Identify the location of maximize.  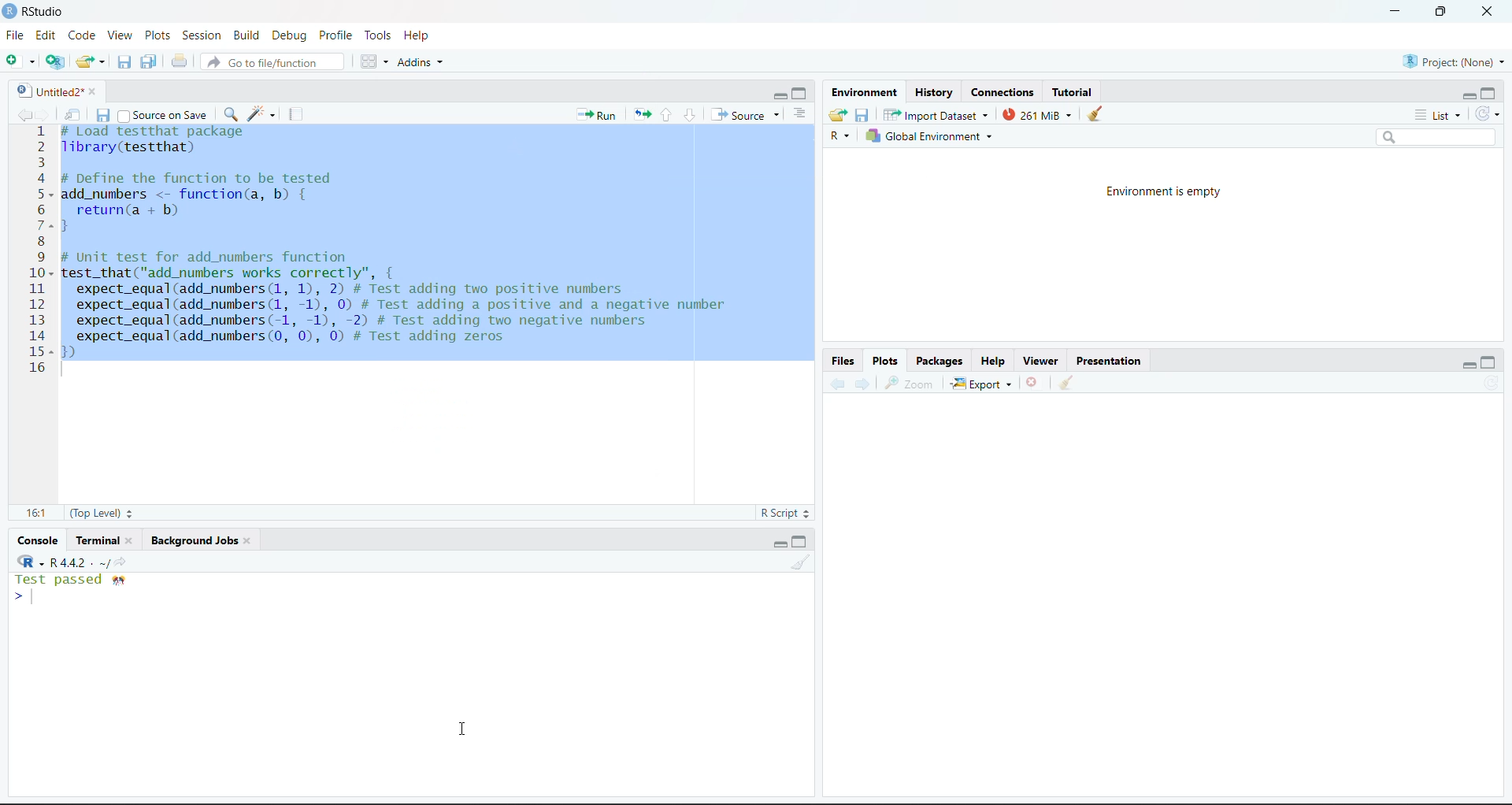
(1491, 361).